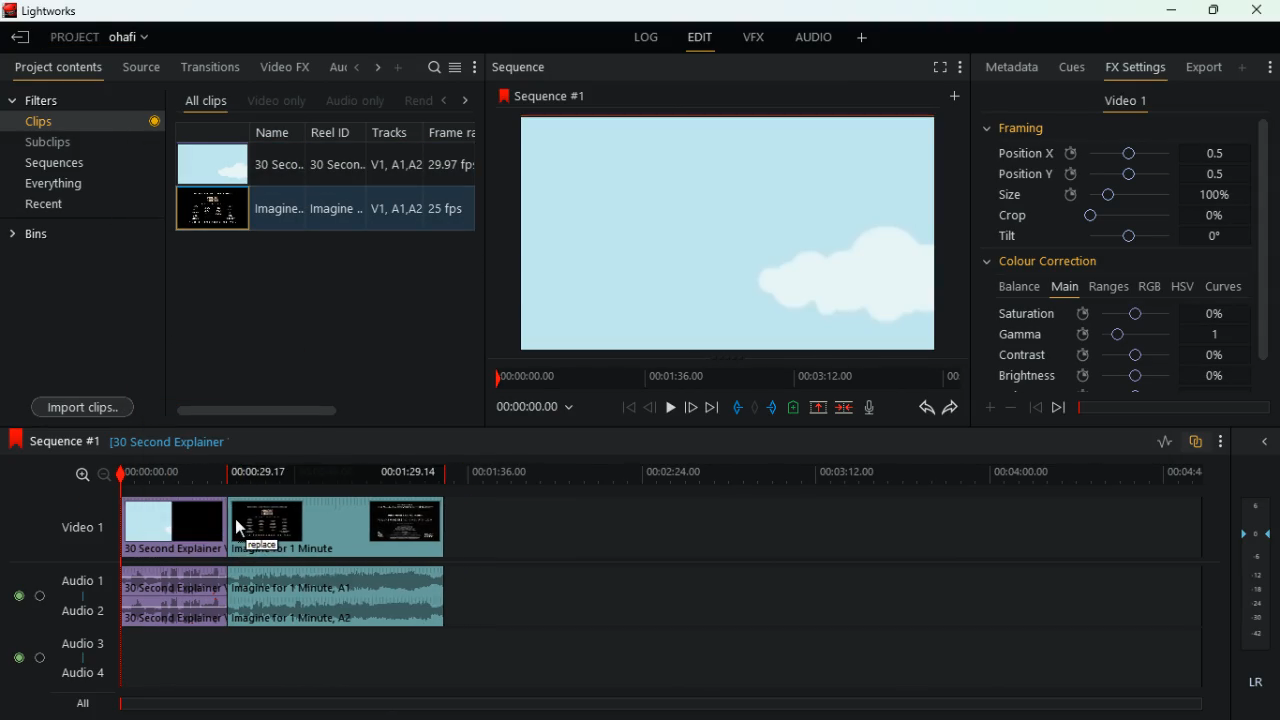  What do you see at coordinates (650, 407) in the screenshot?
I see `back` at bounding box center [650, 407].